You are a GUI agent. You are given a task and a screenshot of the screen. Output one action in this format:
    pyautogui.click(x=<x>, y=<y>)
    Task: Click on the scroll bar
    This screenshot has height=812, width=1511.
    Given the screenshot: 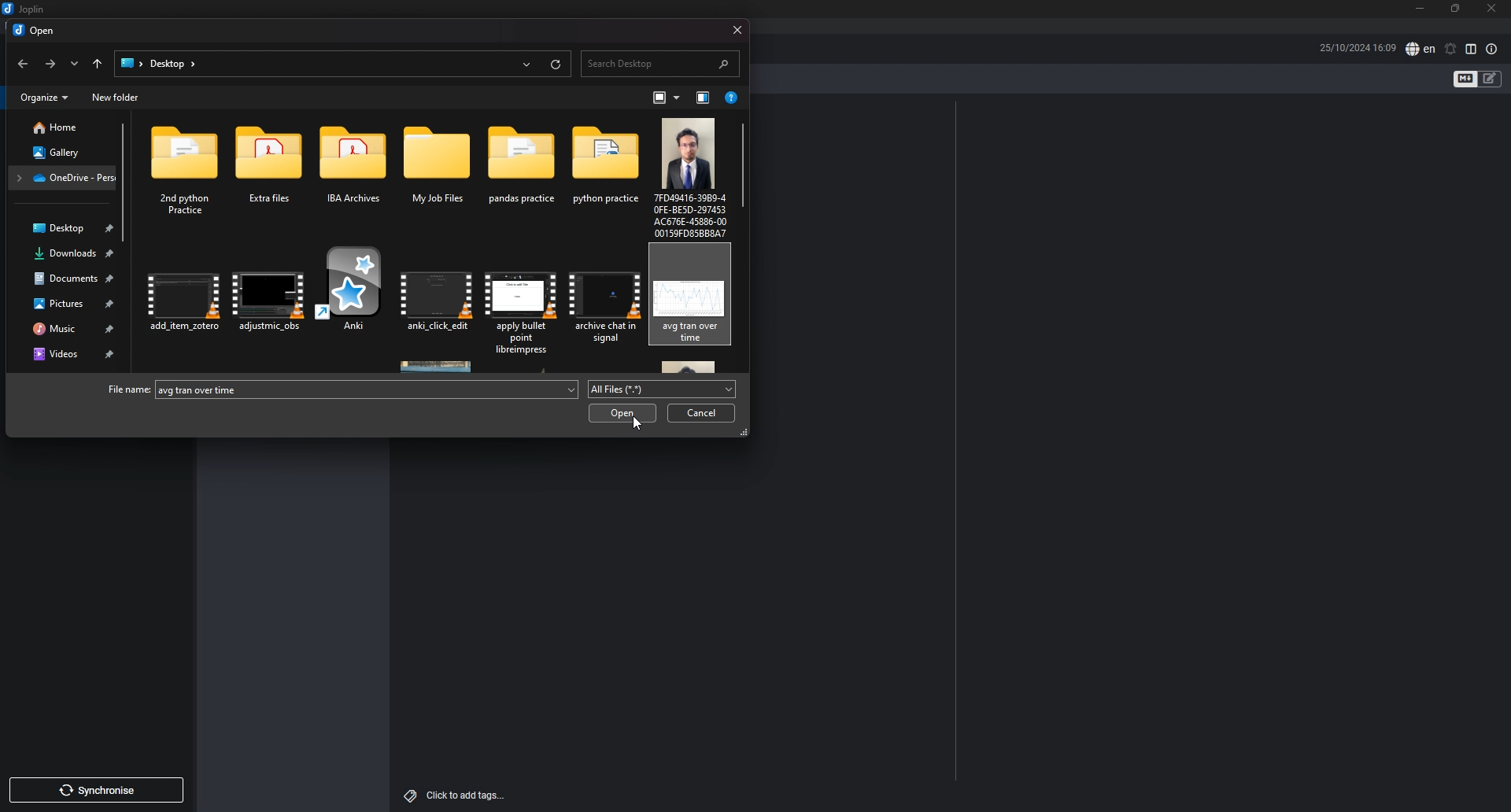 What is the action you would take?
    pyautogui.click(x=127, y=183)
    